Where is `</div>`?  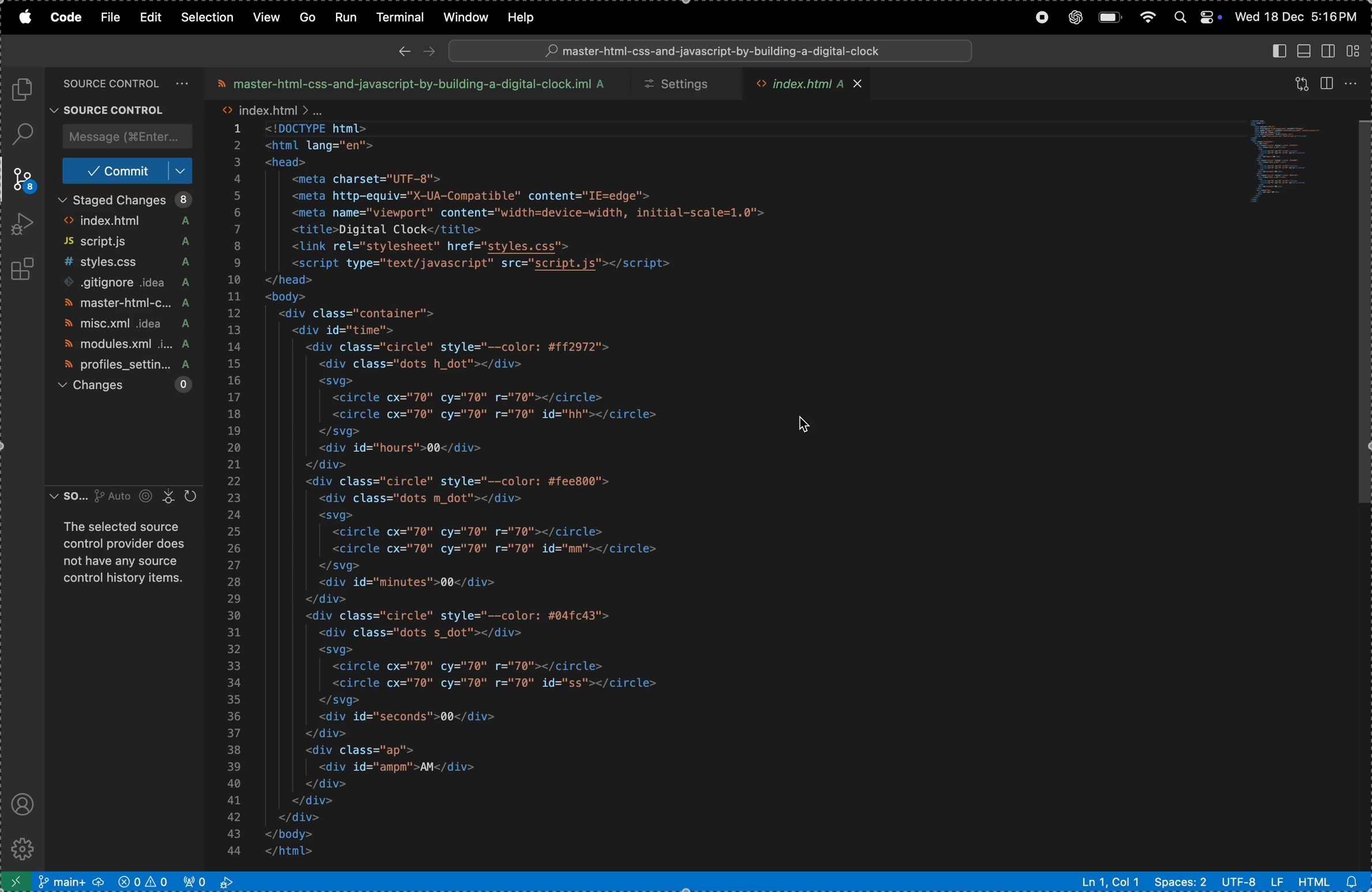 </div> is located at coordinates (332, 784).